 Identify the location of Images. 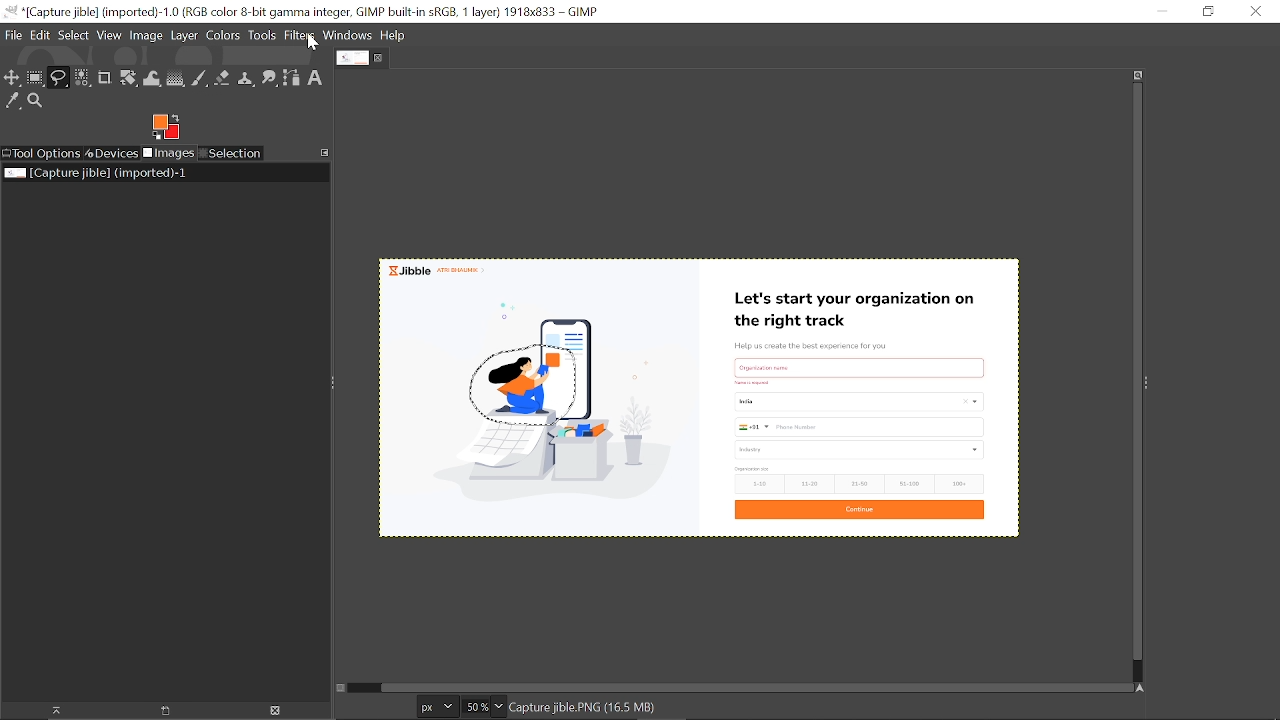
(170, 154).